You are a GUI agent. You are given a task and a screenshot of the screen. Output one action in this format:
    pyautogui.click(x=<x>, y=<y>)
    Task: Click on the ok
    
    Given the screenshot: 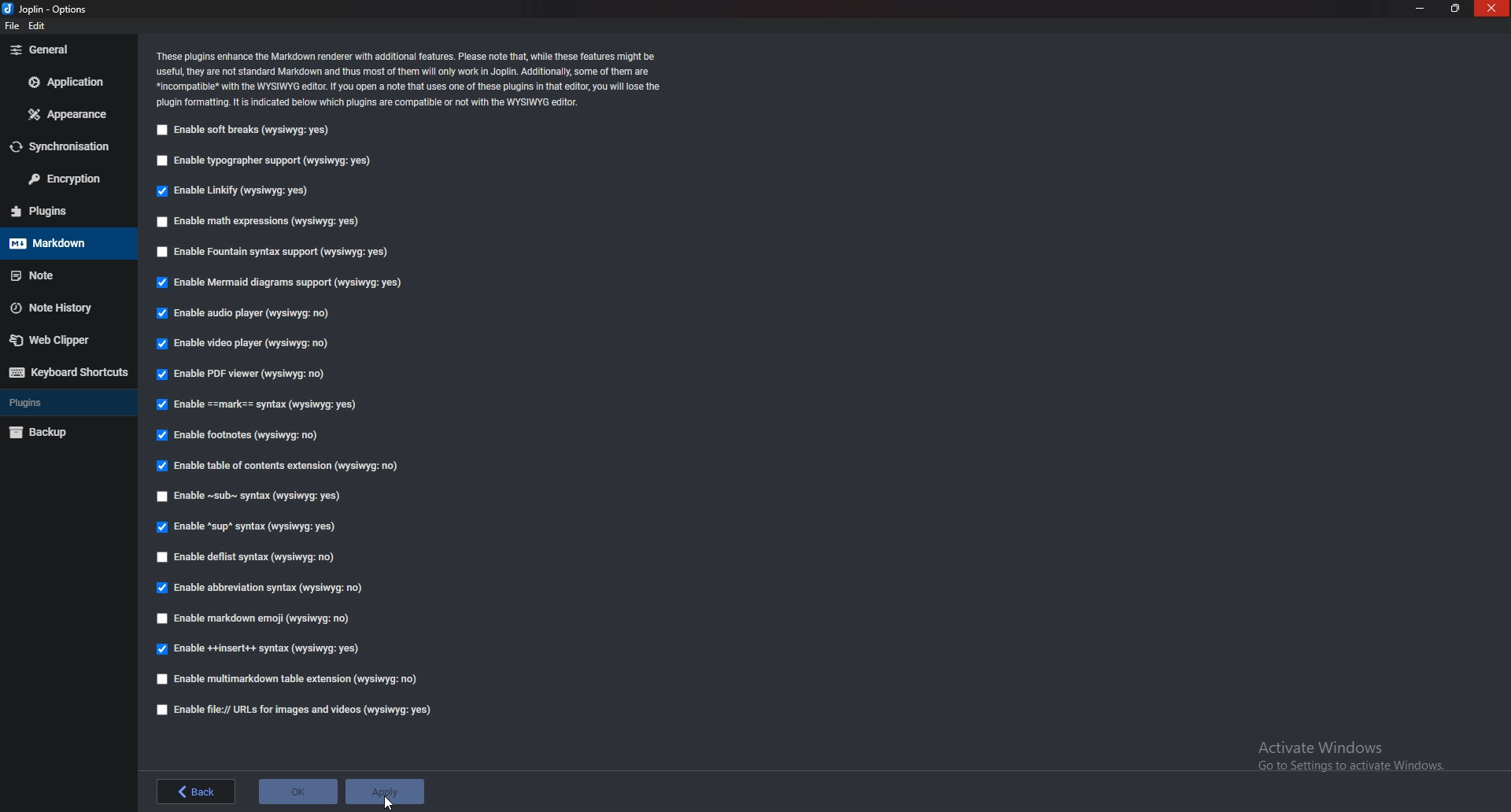 What is the action you would take?
    pyautogui.click(x=299, y=791)
    